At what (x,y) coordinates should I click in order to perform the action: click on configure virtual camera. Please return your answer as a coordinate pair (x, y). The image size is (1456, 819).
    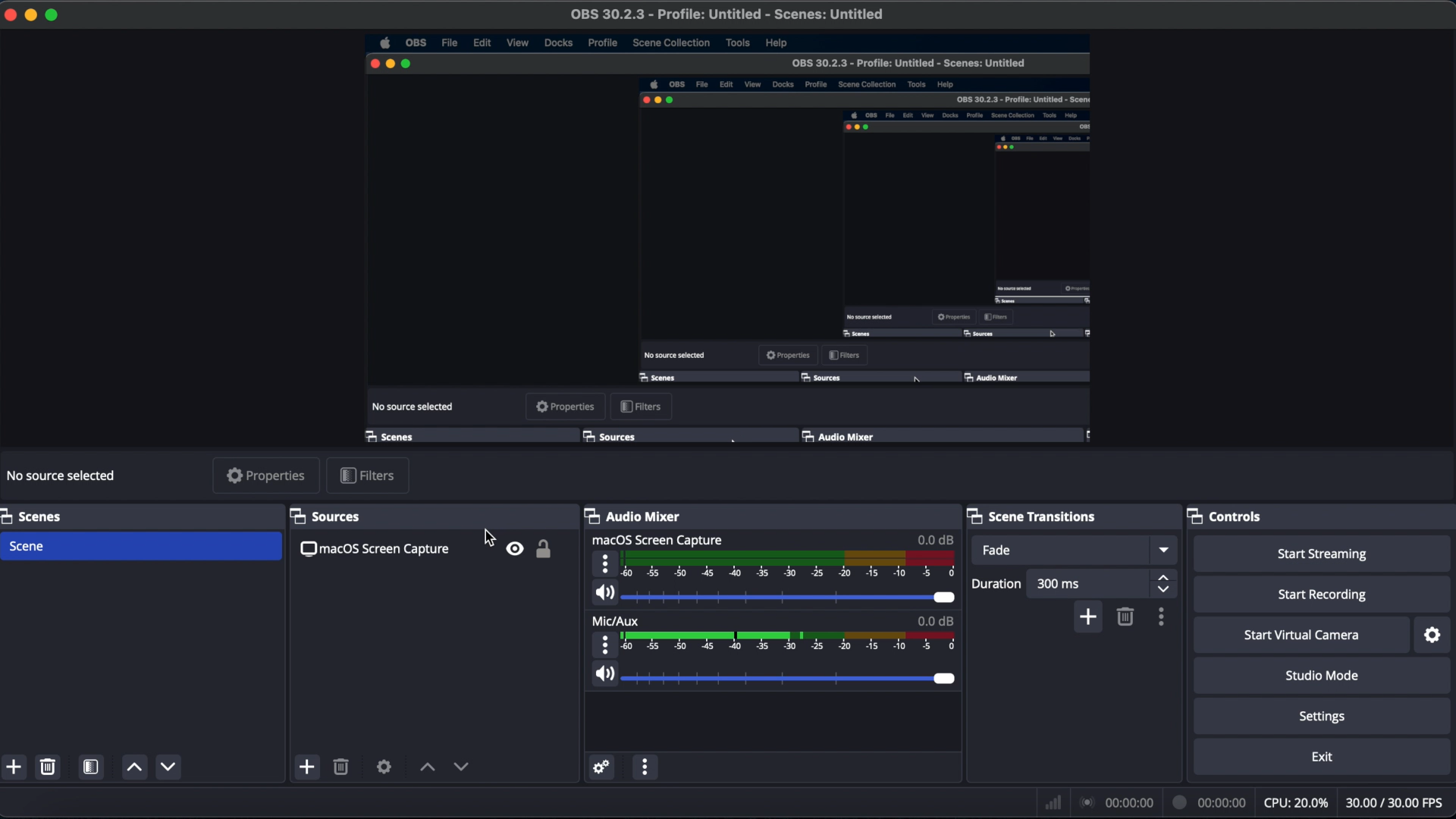
    Looking at the image, I should click on (1433, 636).